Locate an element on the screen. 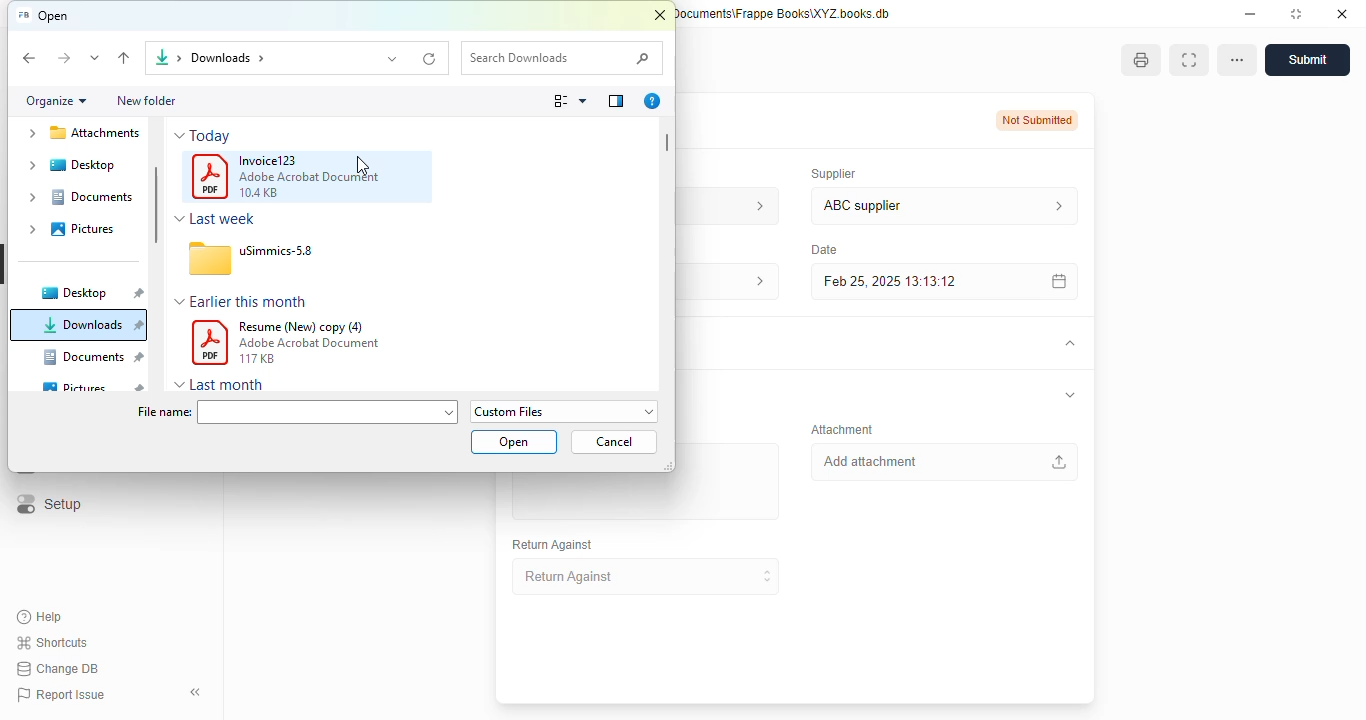  cursor is located at coordinates (363, 166).